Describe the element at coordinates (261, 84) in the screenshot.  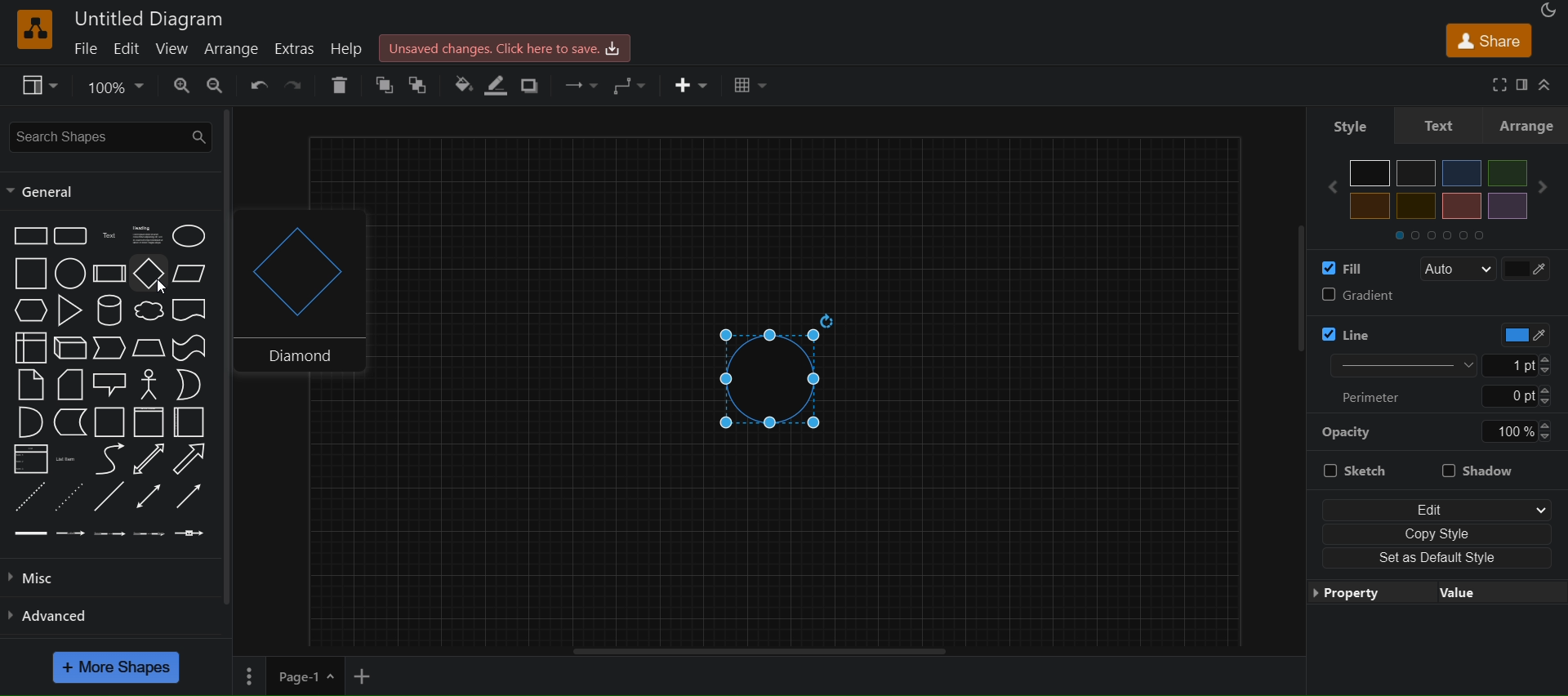
I see `undo` at that location.